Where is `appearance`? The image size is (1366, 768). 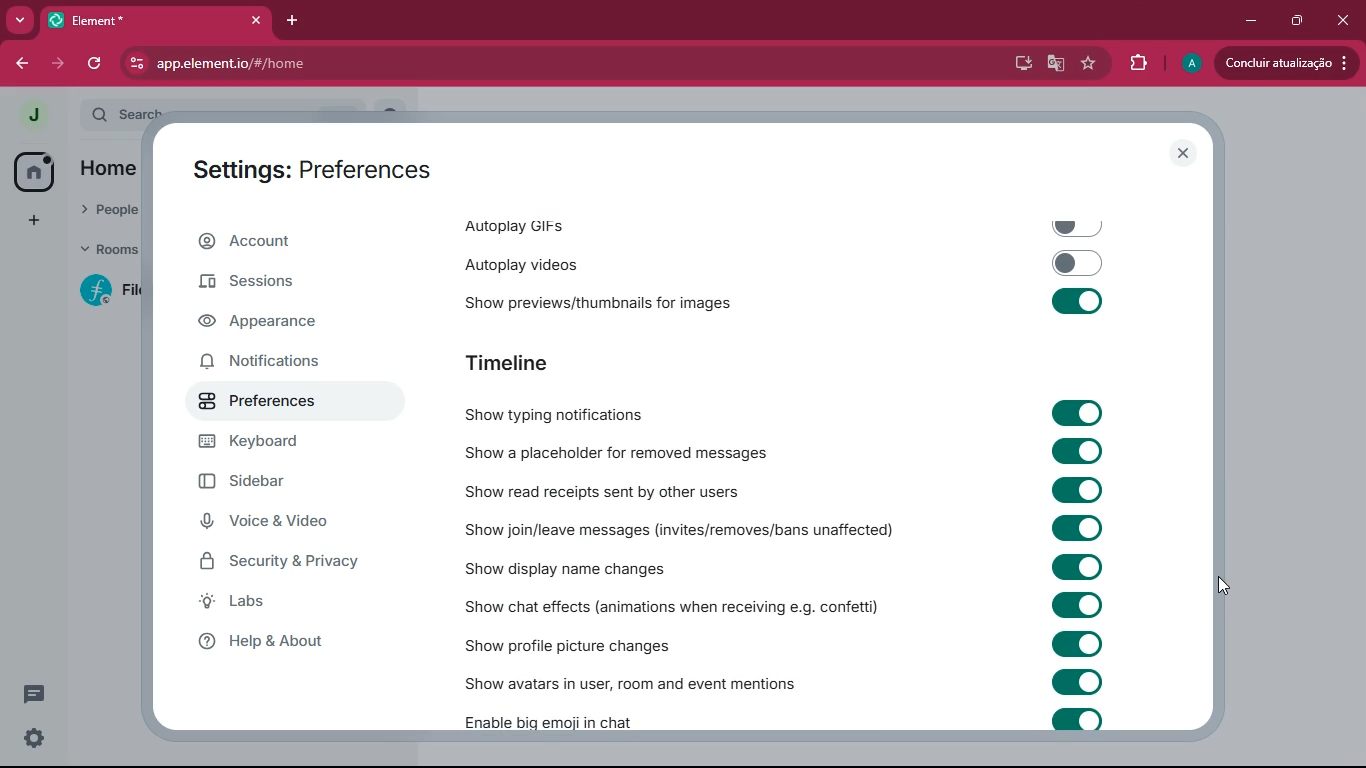 appearance is located at coordinates (275, 325).